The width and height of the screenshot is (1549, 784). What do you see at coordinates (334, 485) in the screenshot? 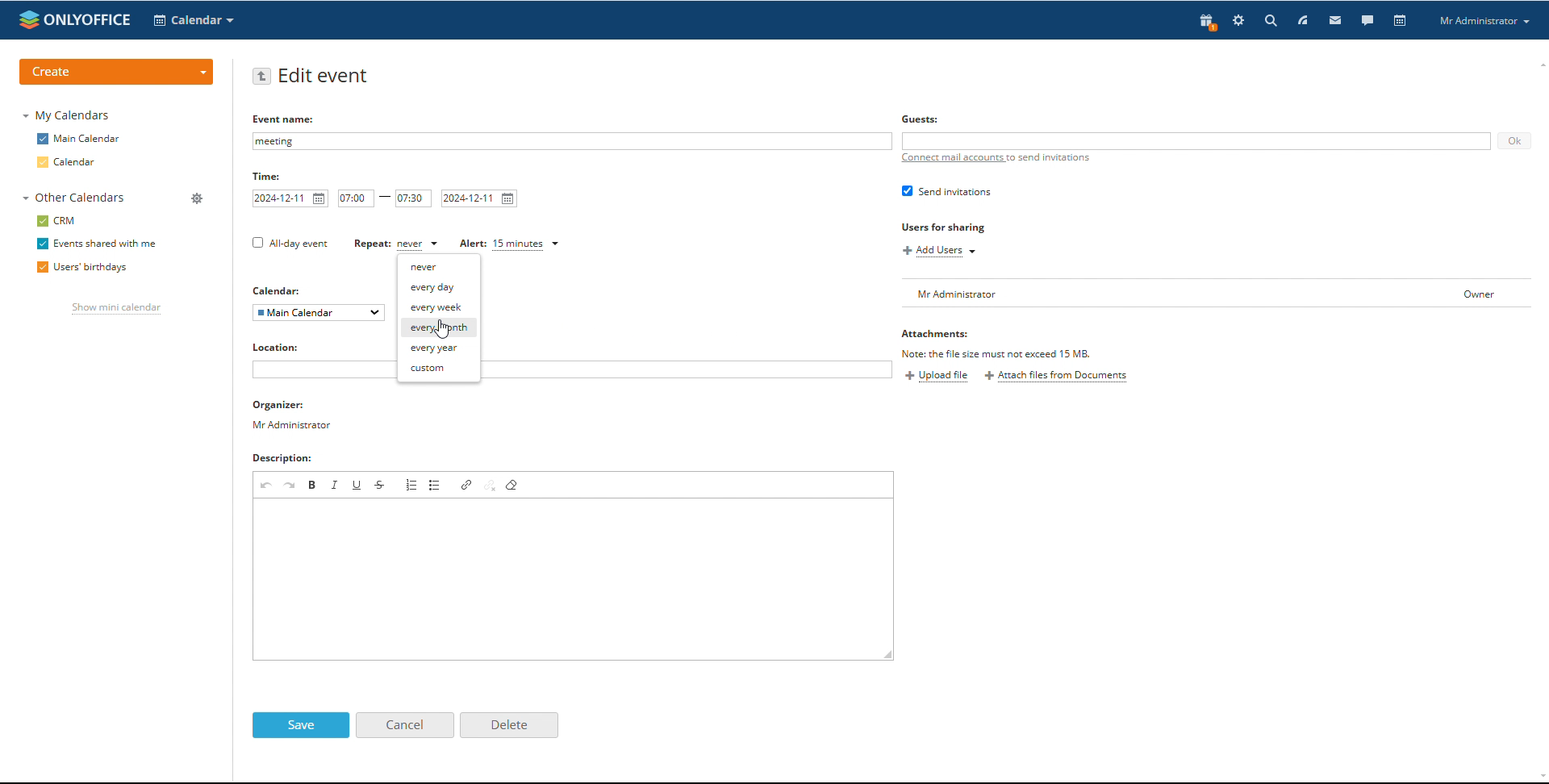
I see `italic` at bounding box center [334, 485].